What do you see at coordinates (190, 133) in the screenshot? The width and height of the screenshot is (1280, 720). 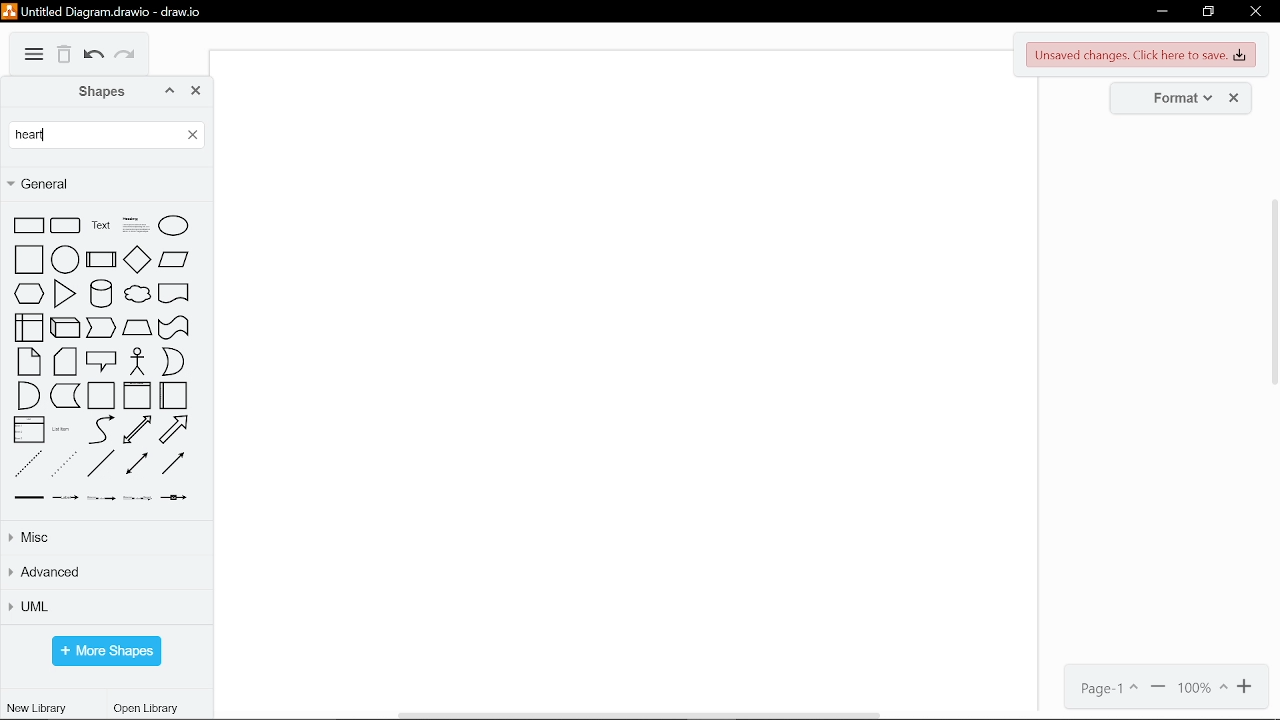 I see `clear` at bounding box center [190, 133].